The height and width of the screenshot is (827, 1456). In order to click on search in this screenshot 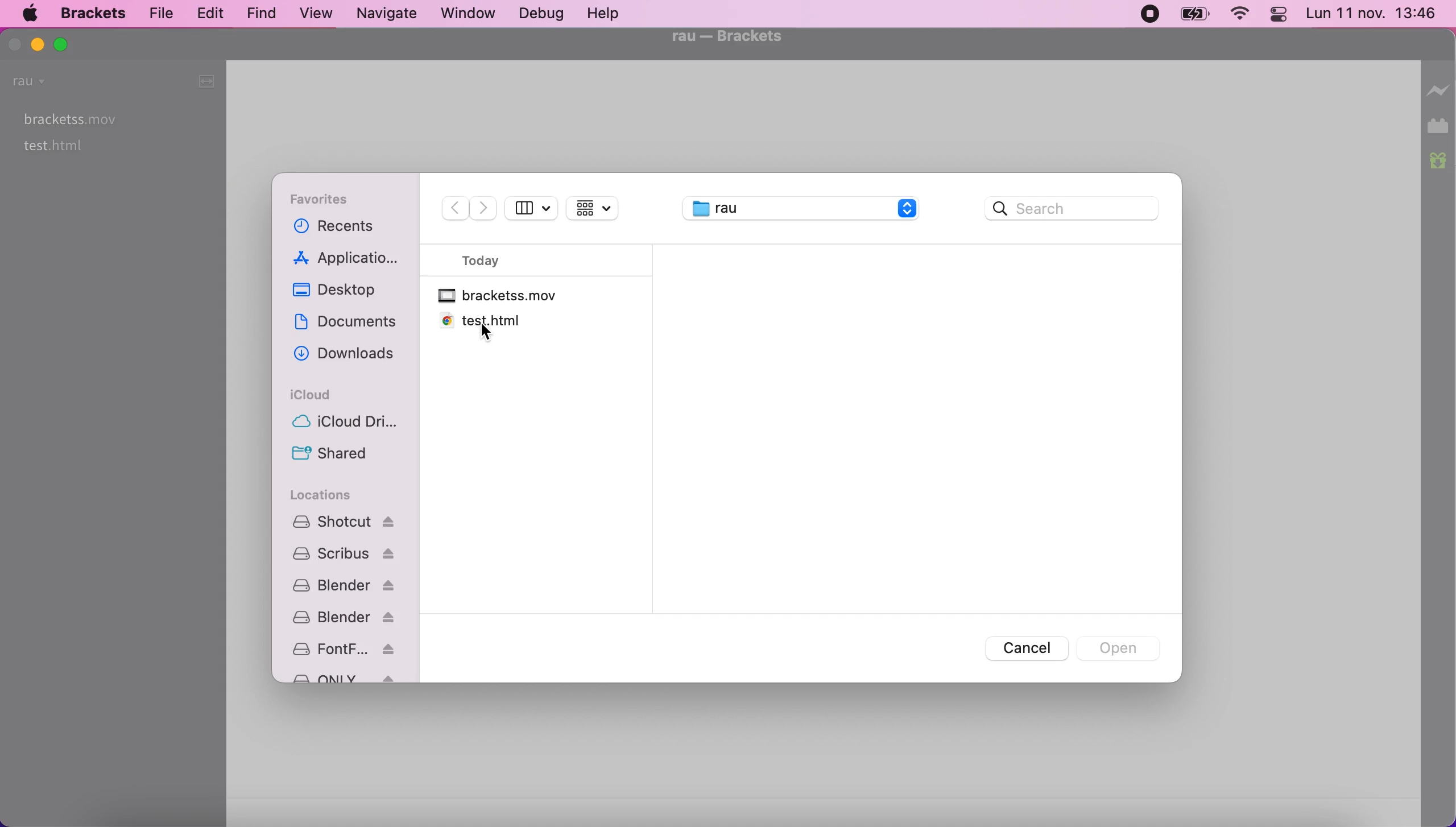, I will do `click(1068, 212)`.